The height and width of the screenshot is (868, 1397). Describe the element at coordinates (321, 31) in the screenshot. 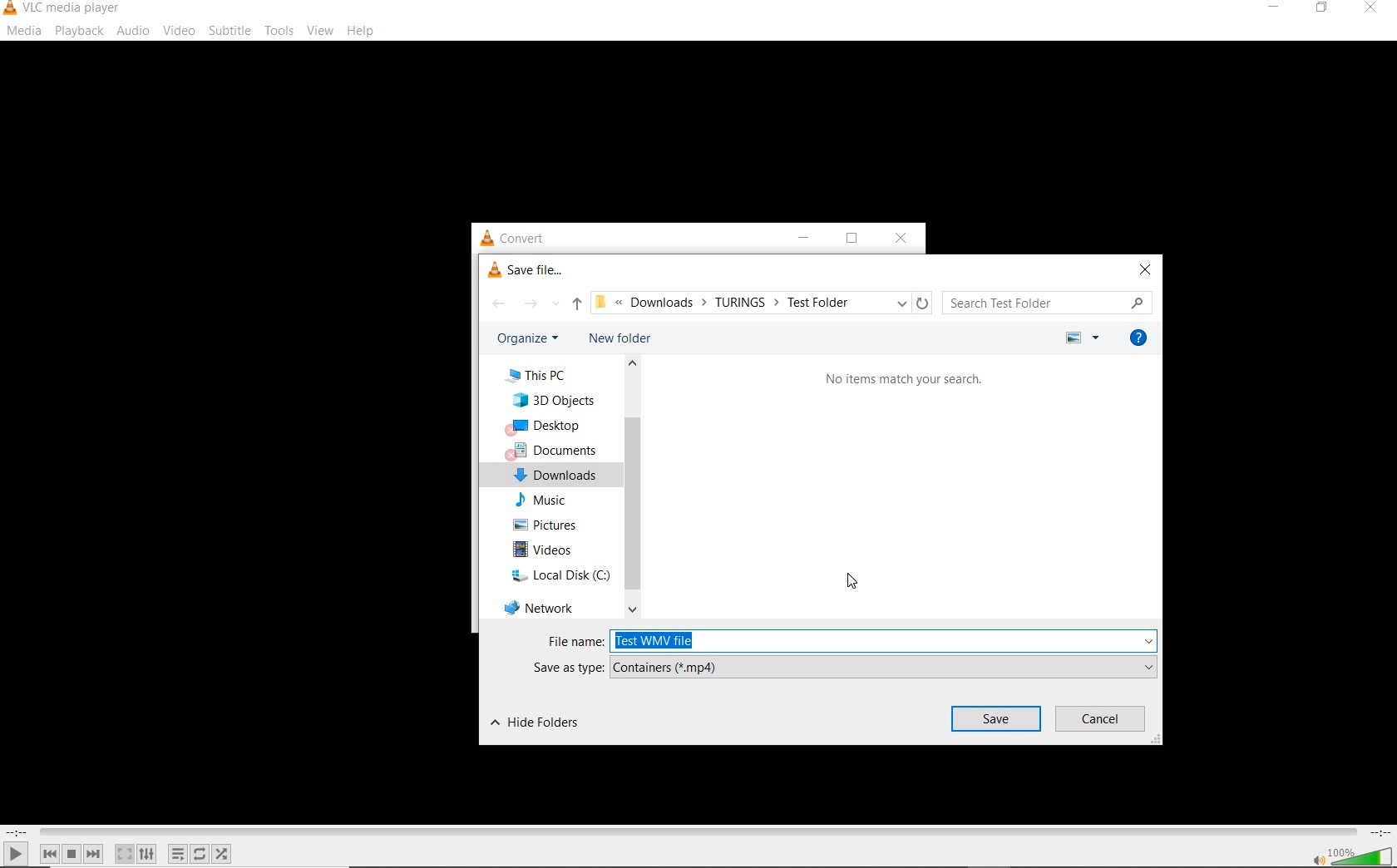

I see `view` at that location.